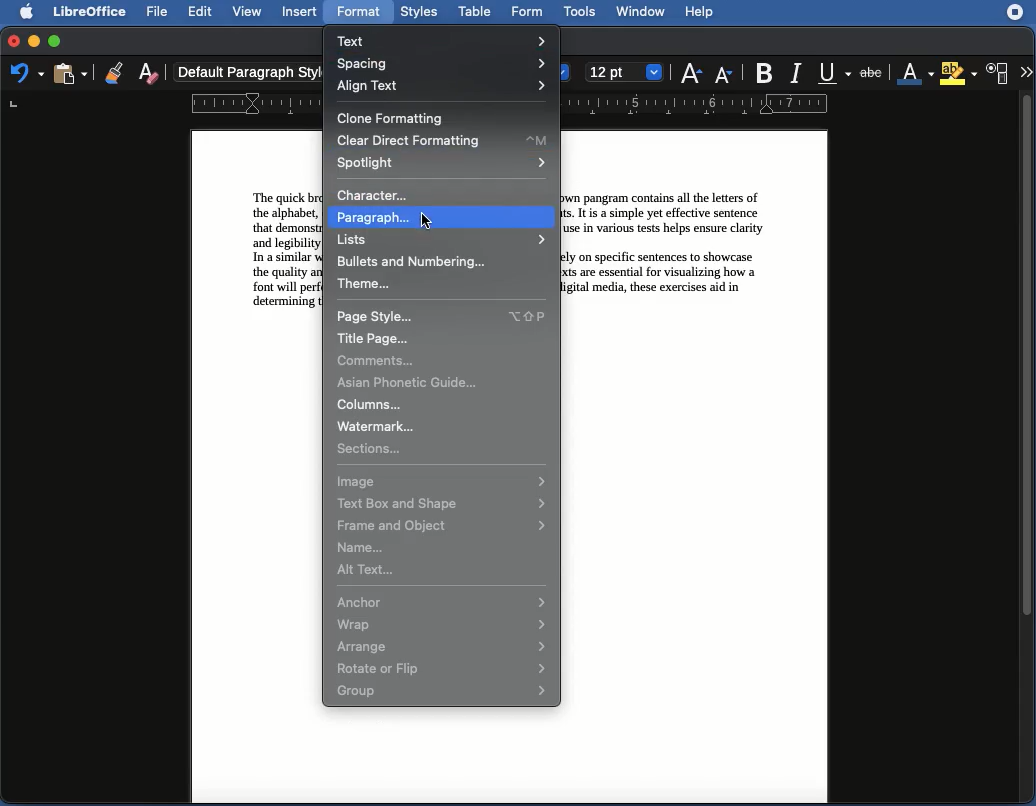 This screenshot has width=1036, height=806. Describe the element at coordinates (374, 451) in the screenshot. I see `Selections` at that location.